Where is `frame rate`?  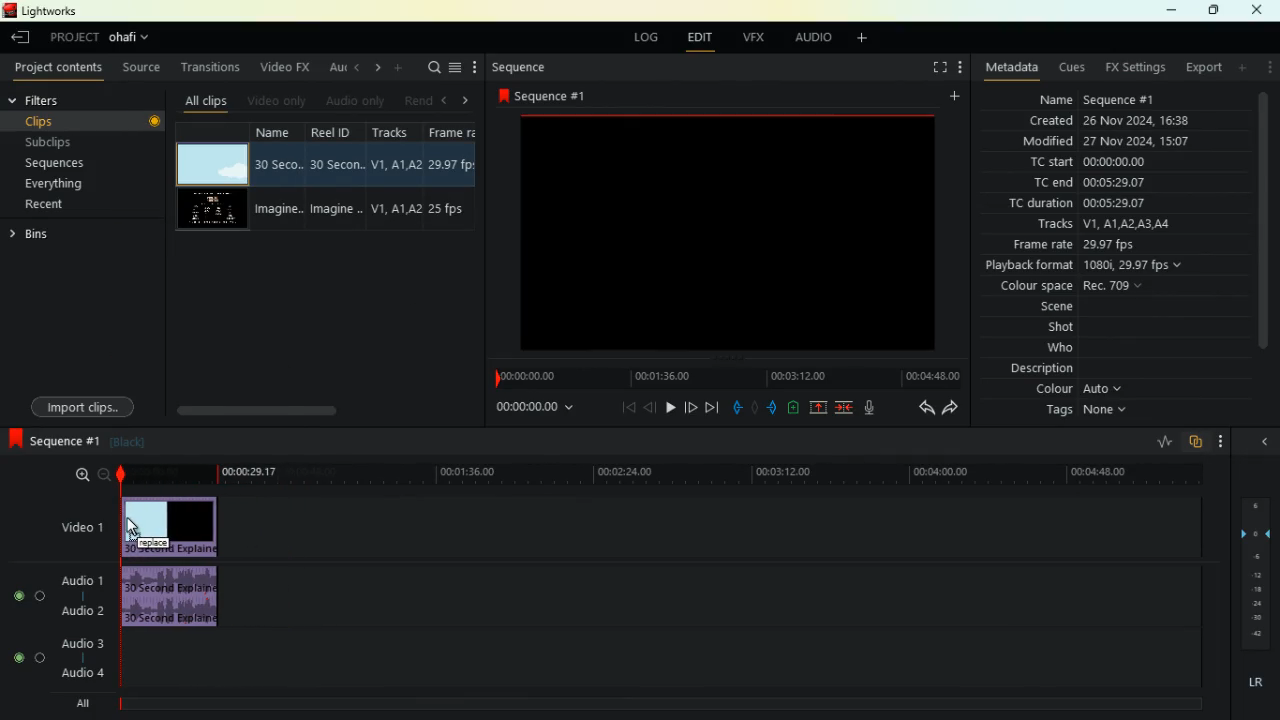 frame rate is located at coordinates (1038, 245).